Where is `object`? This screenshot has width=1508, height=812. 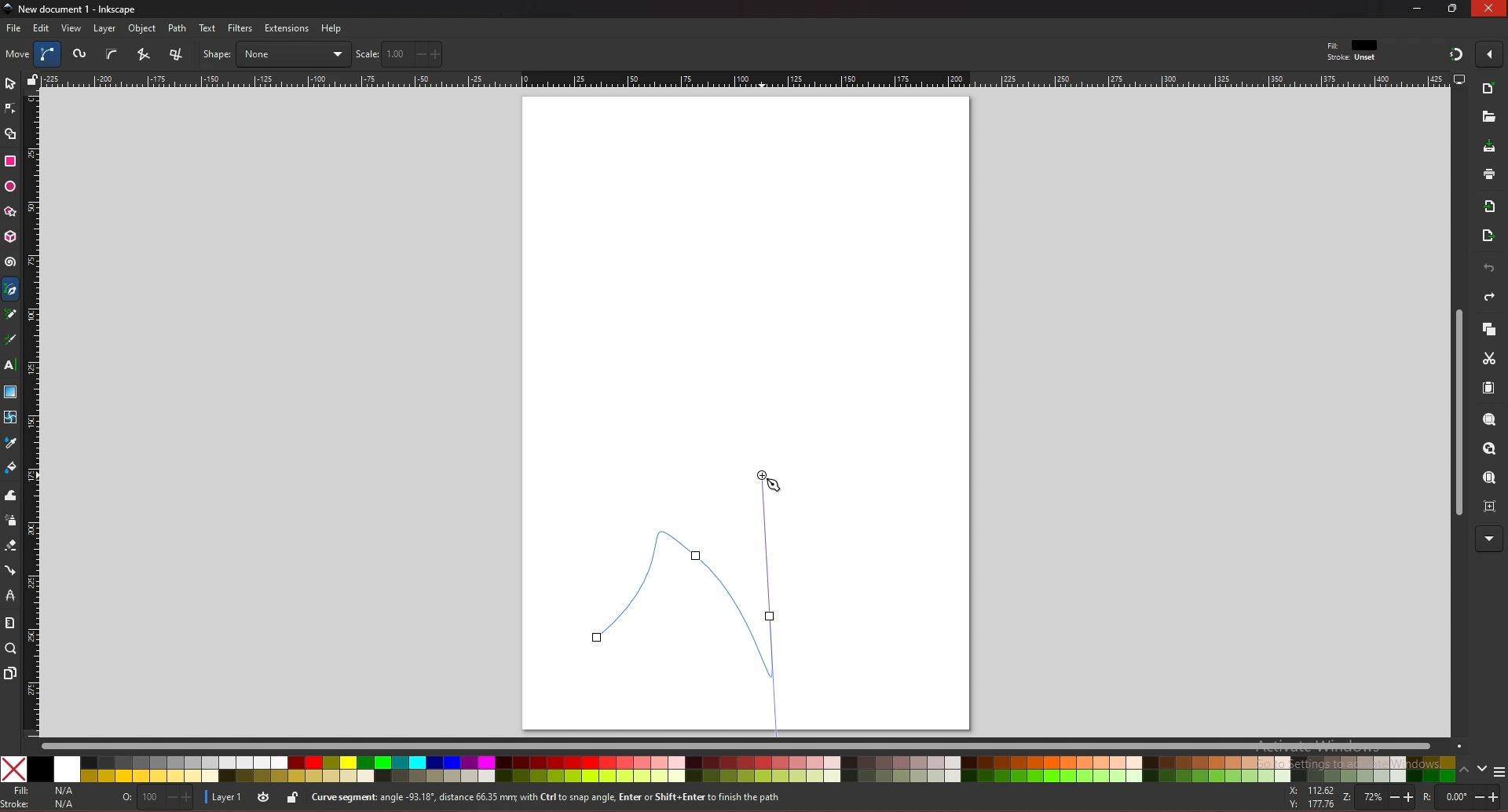 object is located at coordinates (145, 29).